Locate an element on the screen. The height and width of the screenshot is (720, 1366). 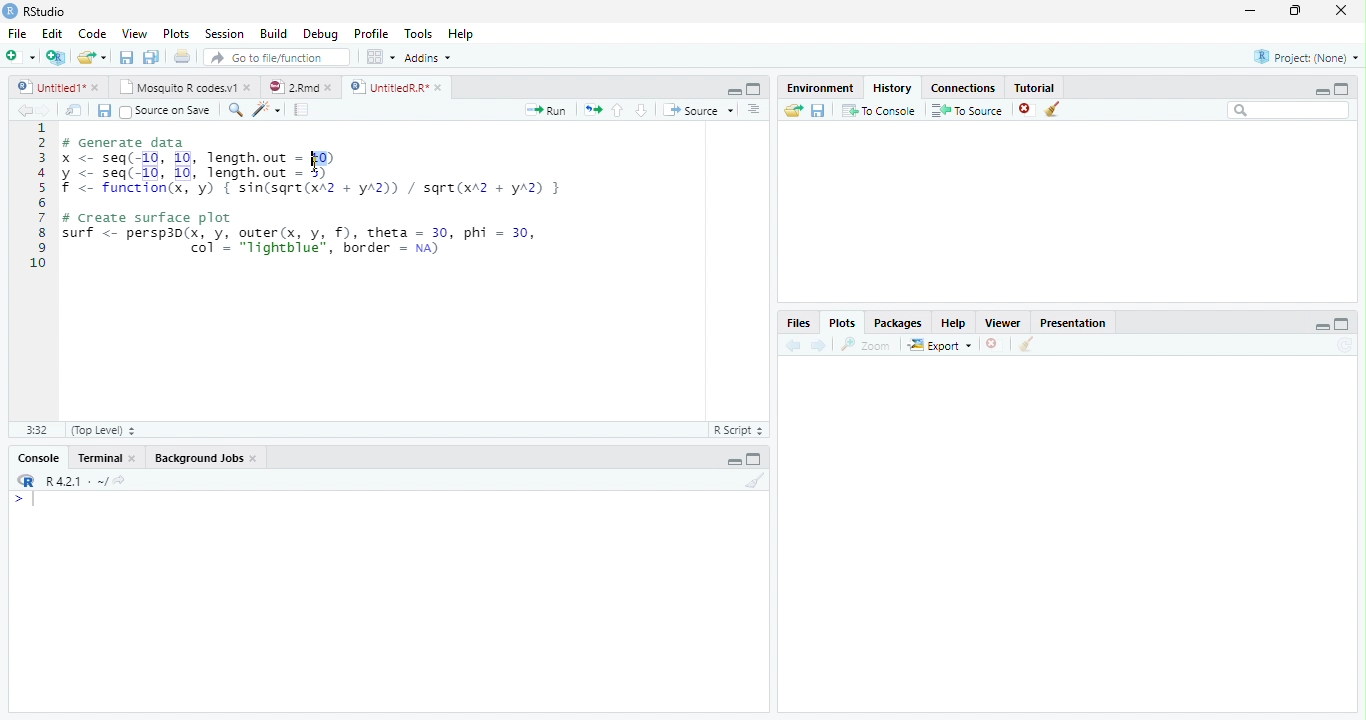
Source on Save is located at coordinates (167, 110).